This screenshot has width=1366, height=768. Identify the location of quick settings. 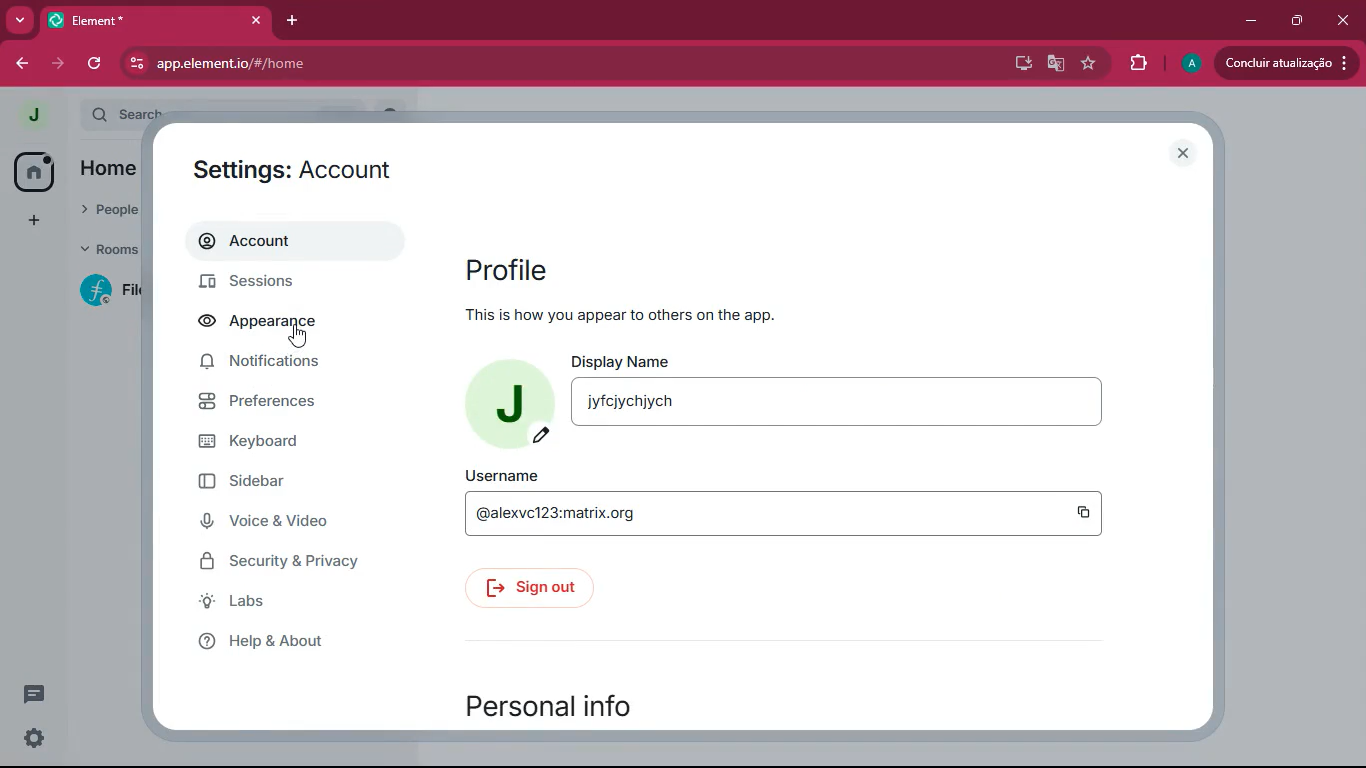
(32, 738).